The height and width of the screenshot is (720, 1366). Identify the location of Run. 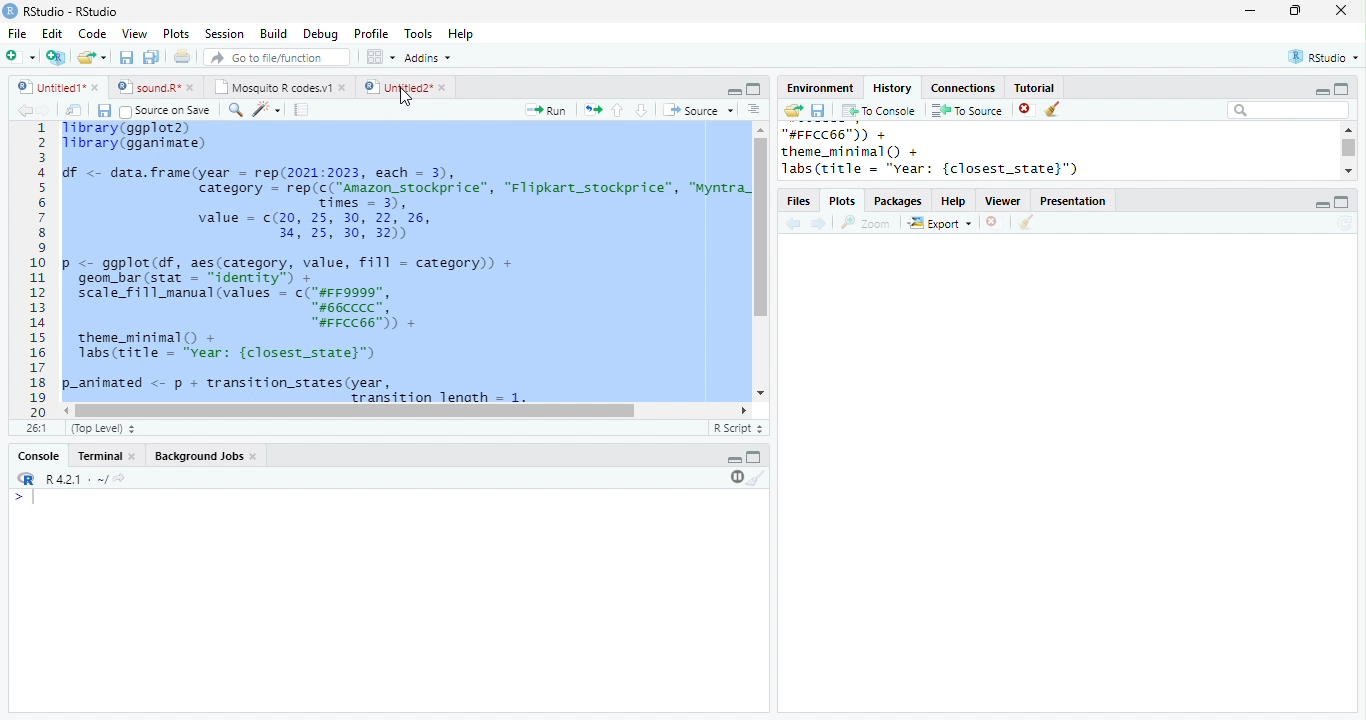
(548, 110).